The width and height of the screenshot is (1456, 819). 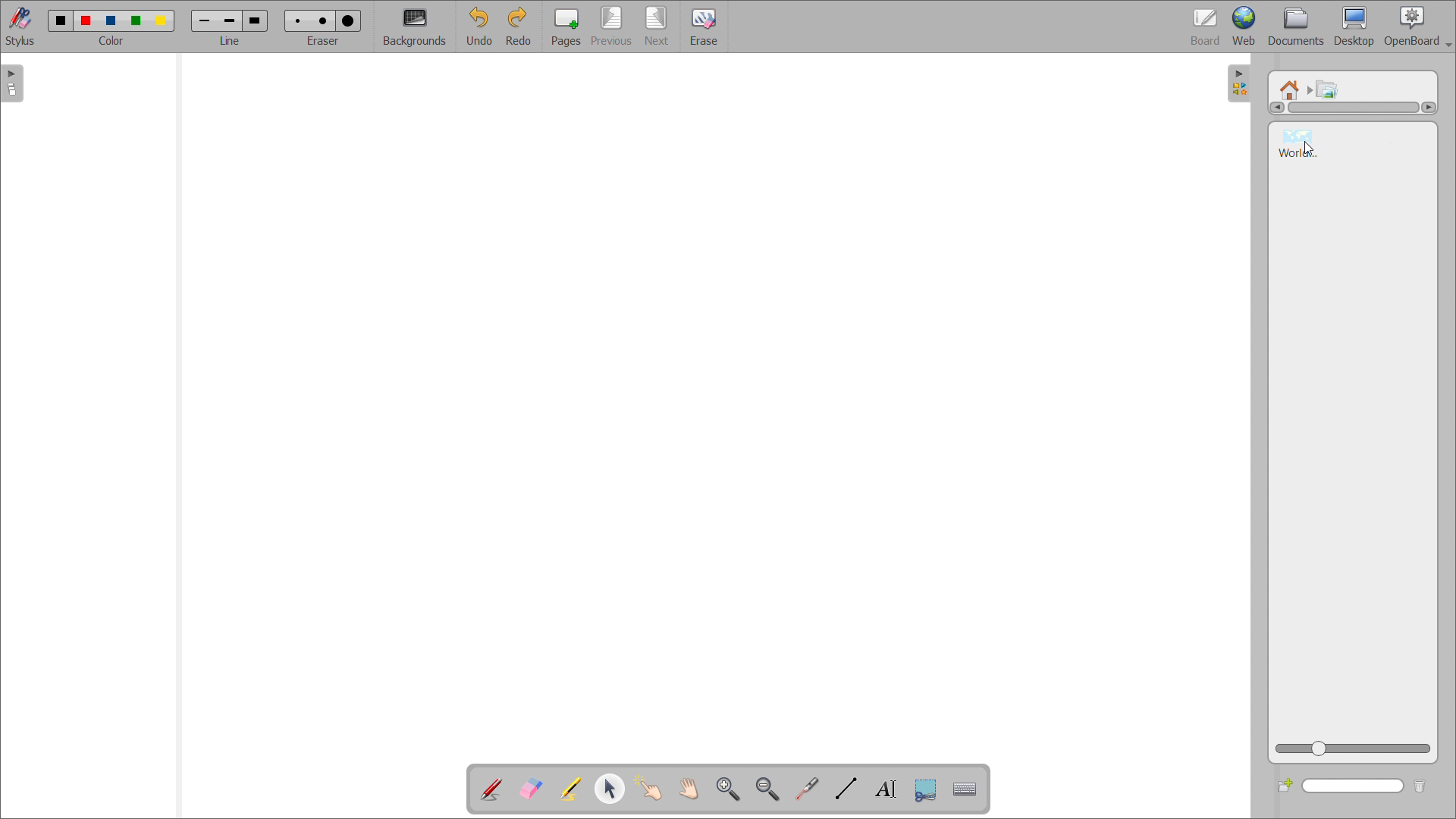 What do you see at coordinates (1354, 748) in the screenshot?
I see `zoom view slider` at bounding box center [1354, 748].